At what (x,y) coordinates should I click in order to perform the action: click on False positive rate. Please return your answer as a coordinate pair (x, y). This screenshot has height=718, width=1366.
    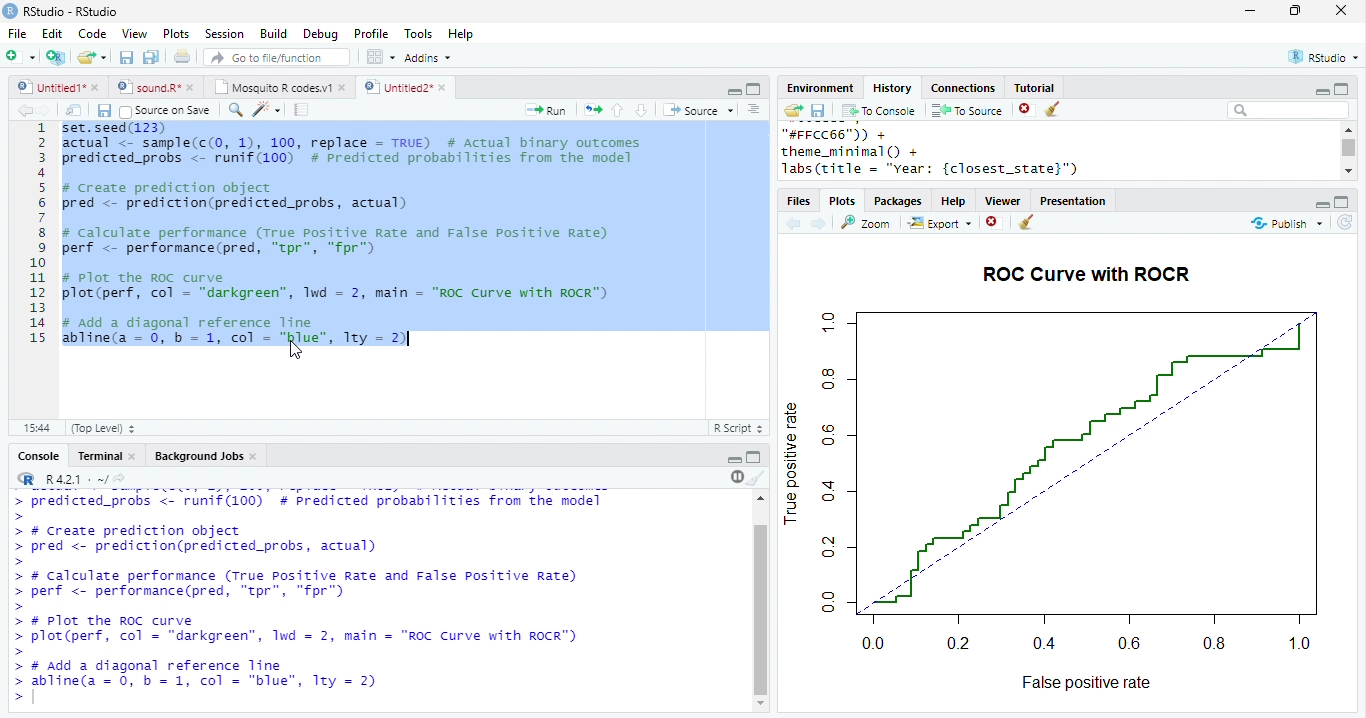
    Looking at the image, I should click on (1085, 682).